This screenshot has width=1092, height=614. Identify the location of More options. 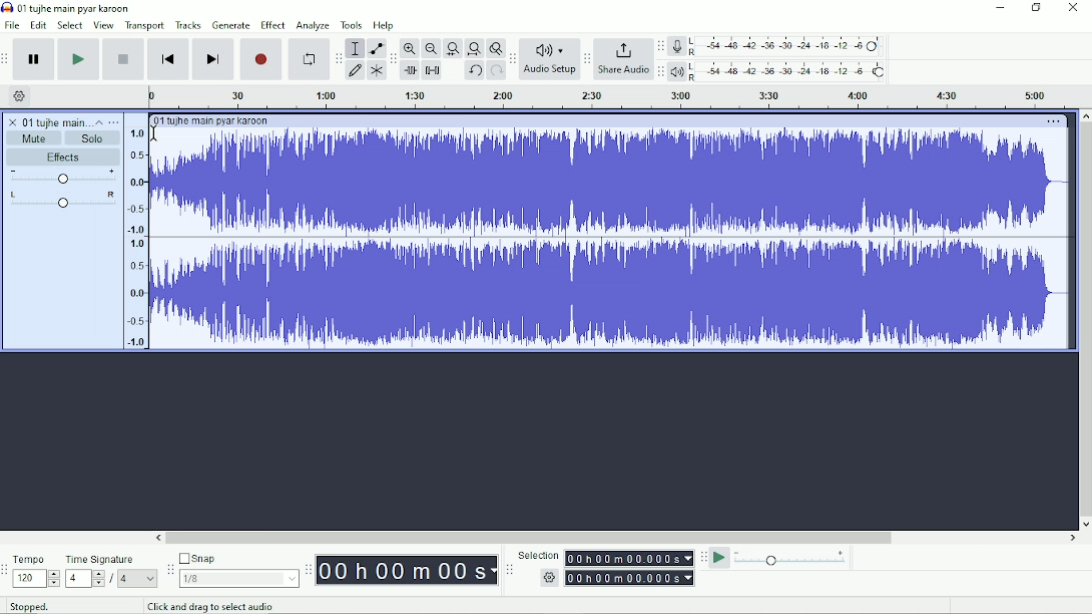
(1054, 122).